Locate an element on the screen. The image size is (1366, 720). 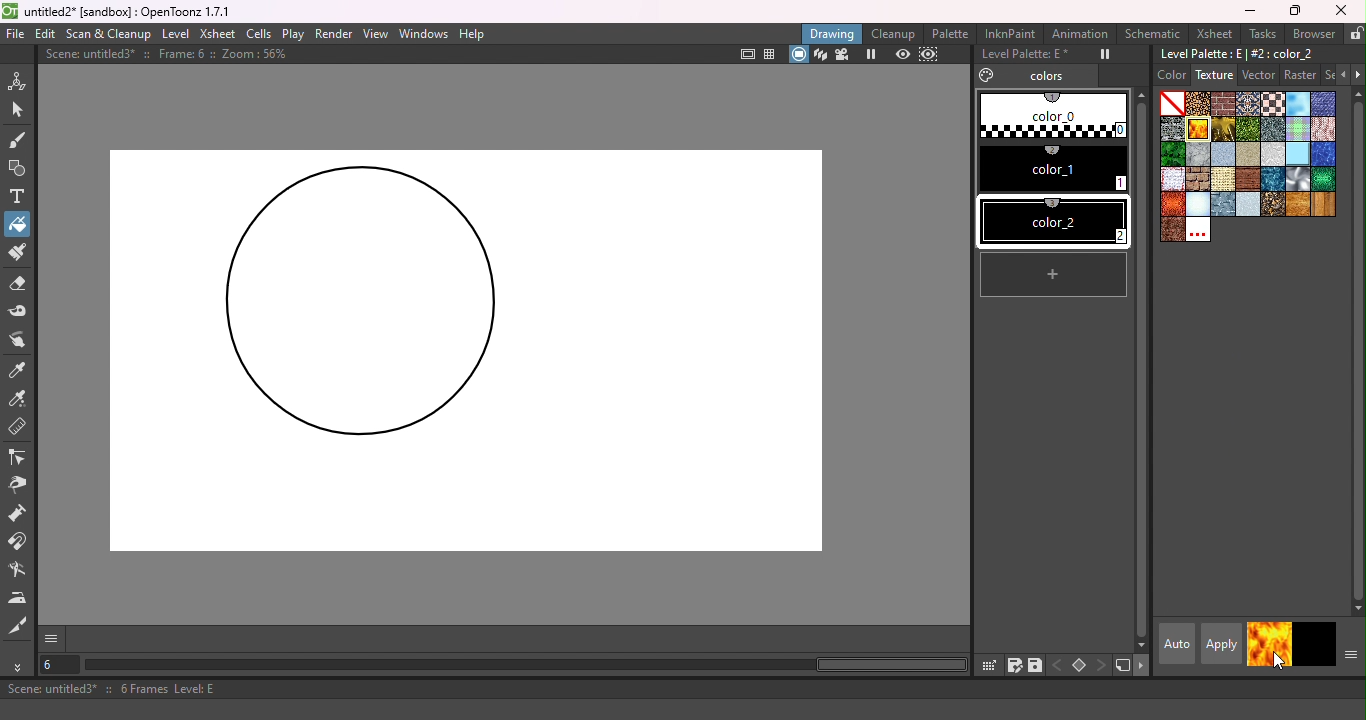
Drystonewall.bmp is located at coordinates (1172, 129).